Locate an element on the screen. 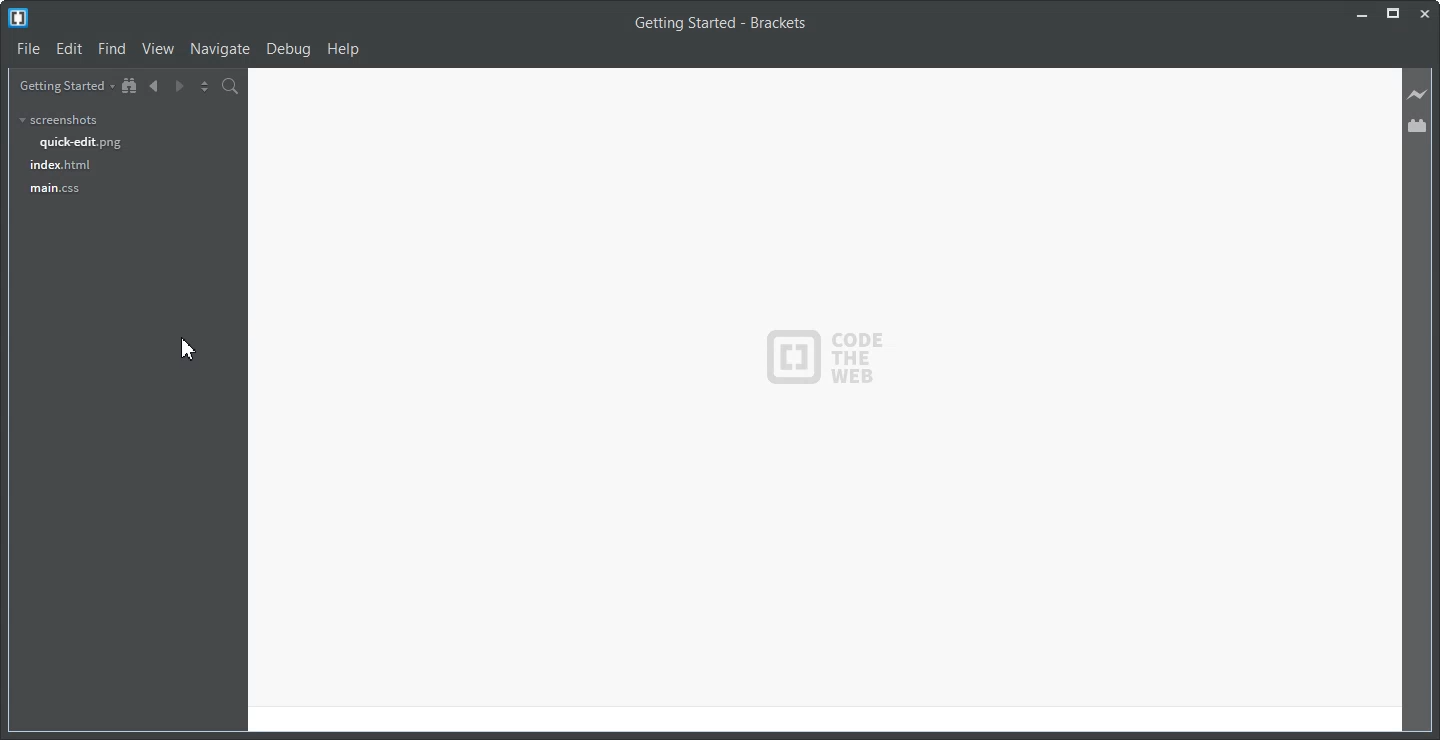 This screenshot has height=740, width=1440. File is located at coordinates (27, 48).